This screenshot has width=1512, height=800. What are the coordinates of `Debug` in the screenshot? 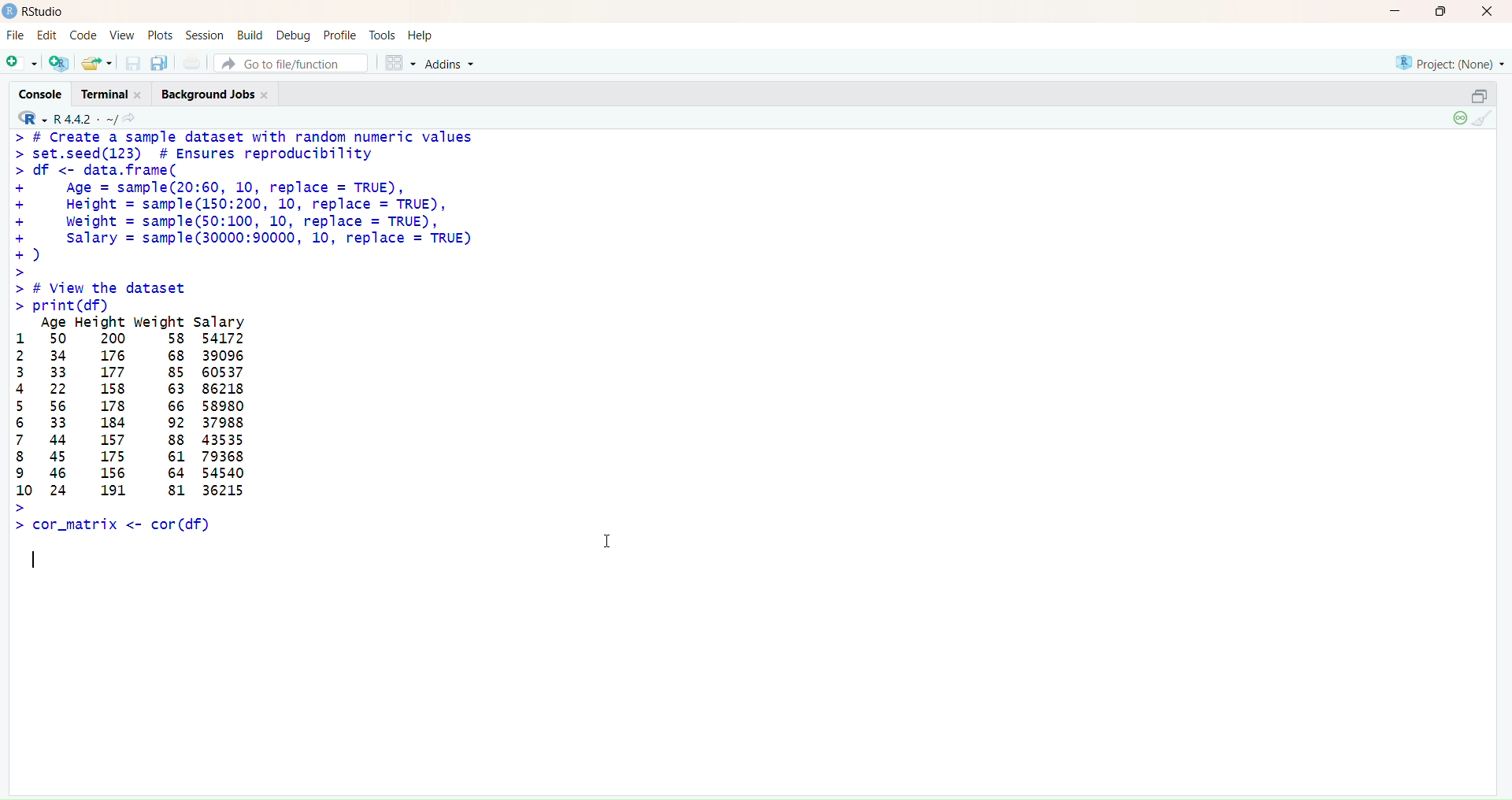 It's located at (294, 35).